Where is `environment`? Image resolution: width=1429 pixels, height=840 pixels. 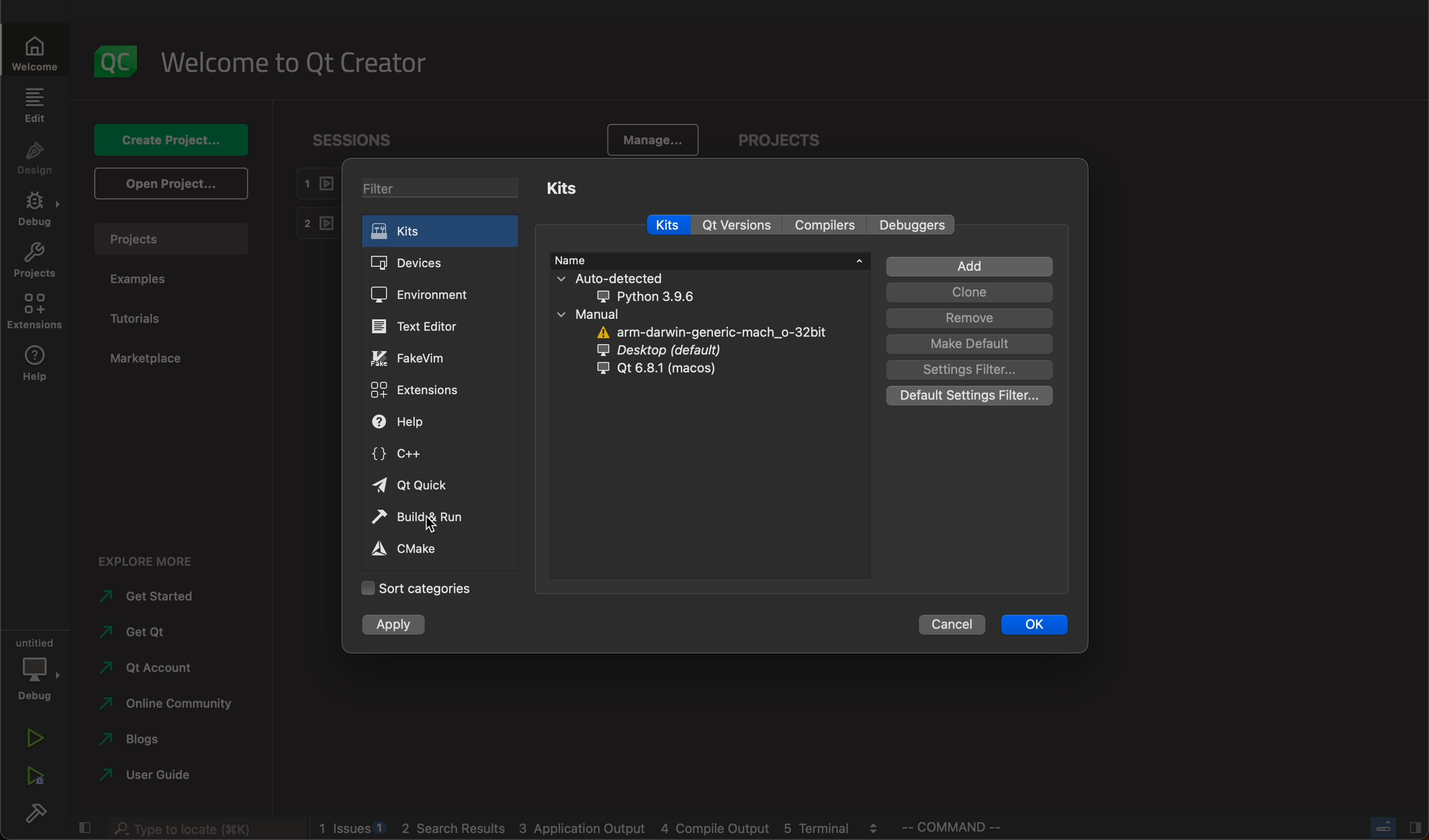
environment is located at coordinates (430, 294).